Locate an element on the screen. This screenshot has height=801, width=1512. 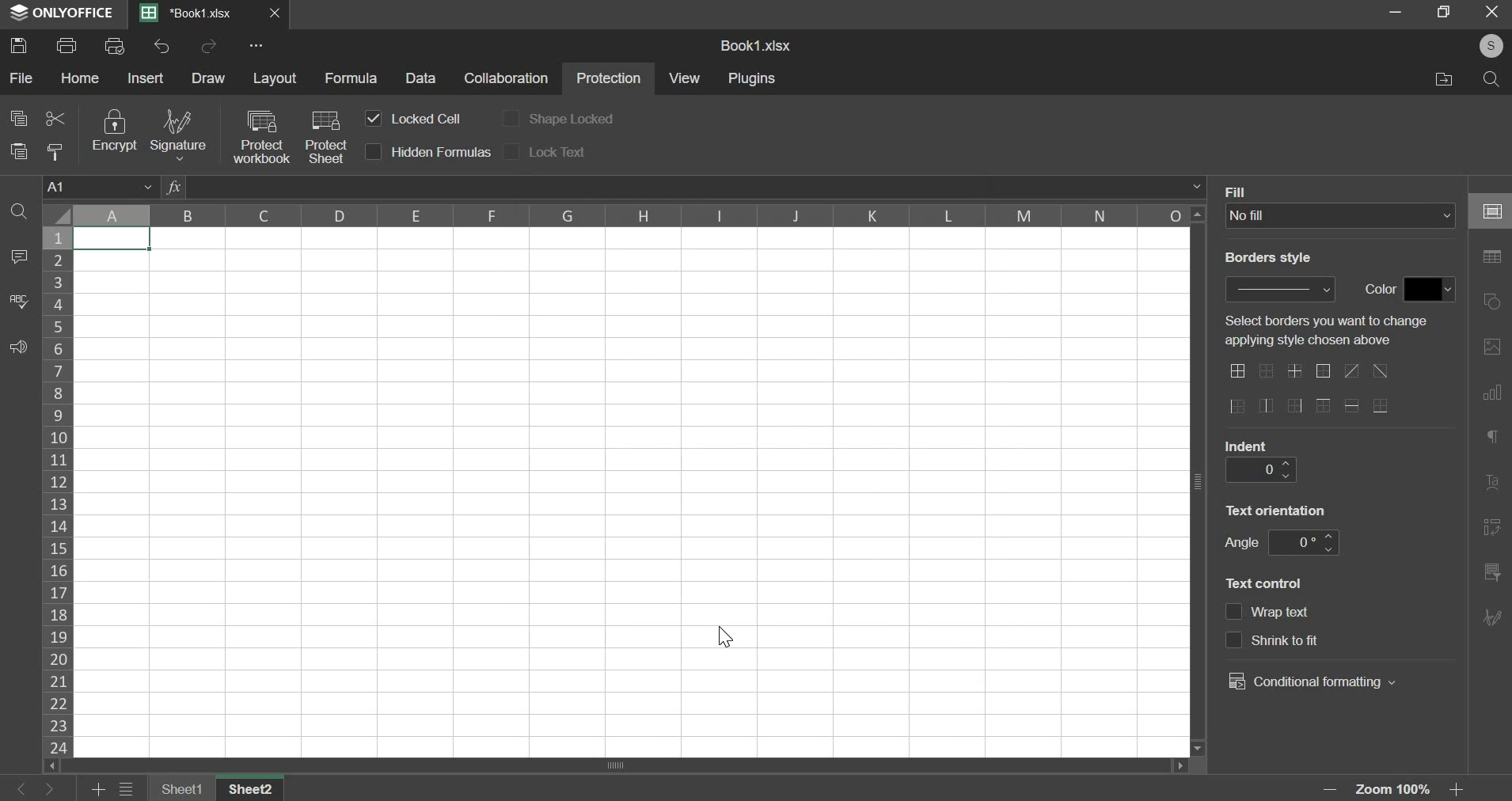
sheet is located at coordinates (184, 788).